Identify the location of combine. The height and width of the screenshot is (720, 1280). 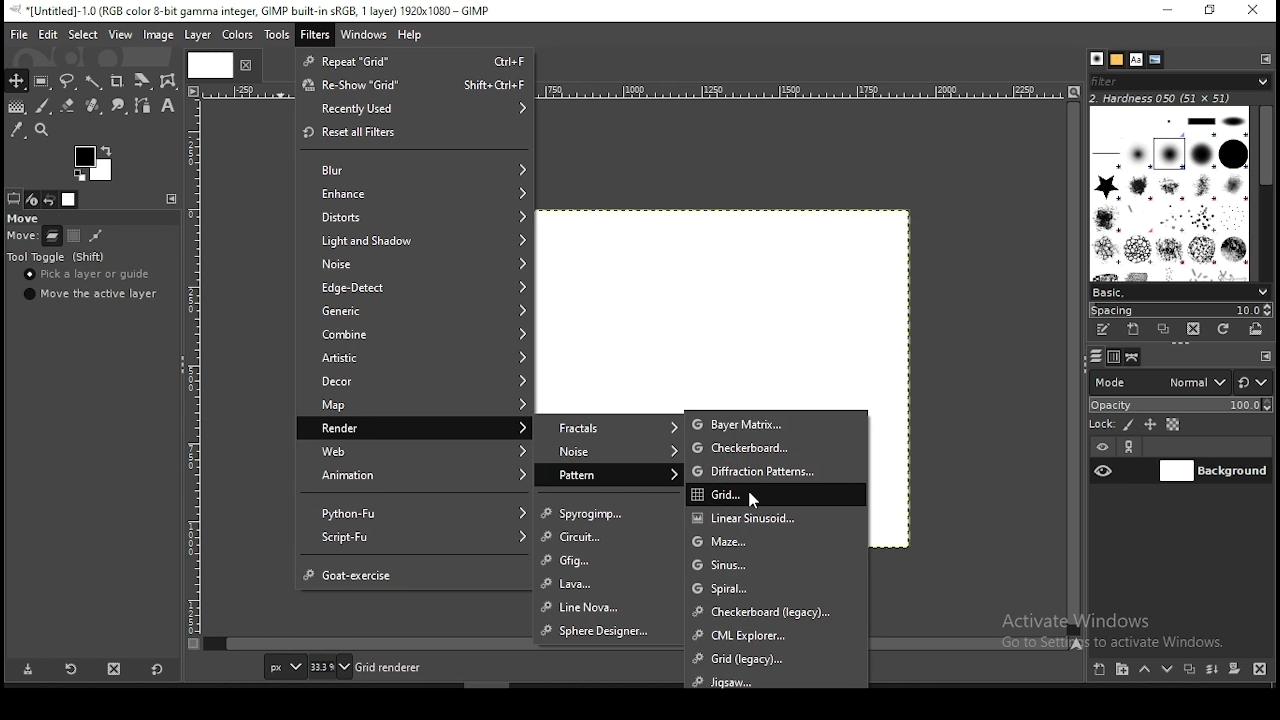
(414, 334).